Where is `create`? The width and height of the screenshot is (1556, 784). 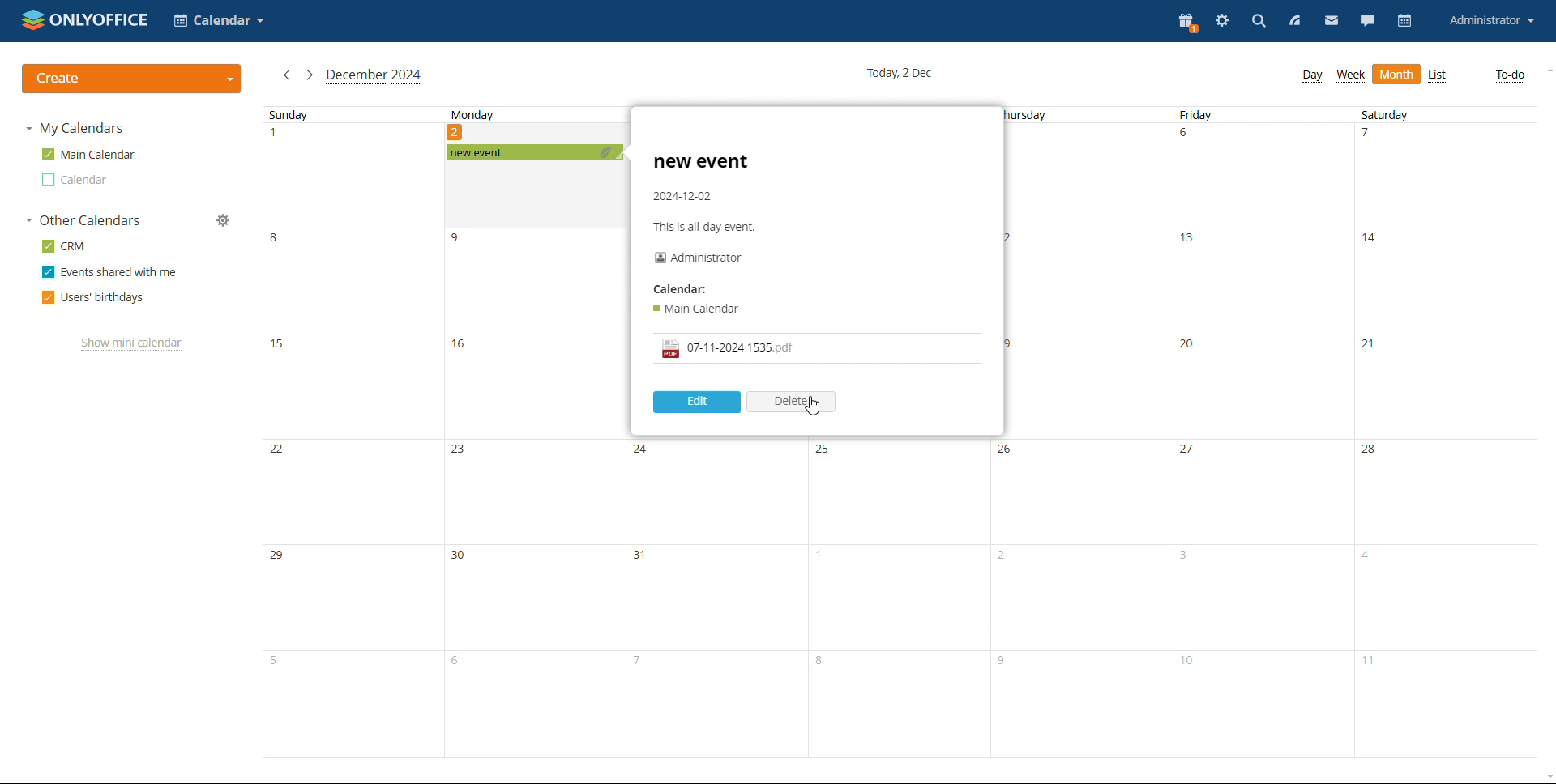
create is located at coordinates (131, 79).